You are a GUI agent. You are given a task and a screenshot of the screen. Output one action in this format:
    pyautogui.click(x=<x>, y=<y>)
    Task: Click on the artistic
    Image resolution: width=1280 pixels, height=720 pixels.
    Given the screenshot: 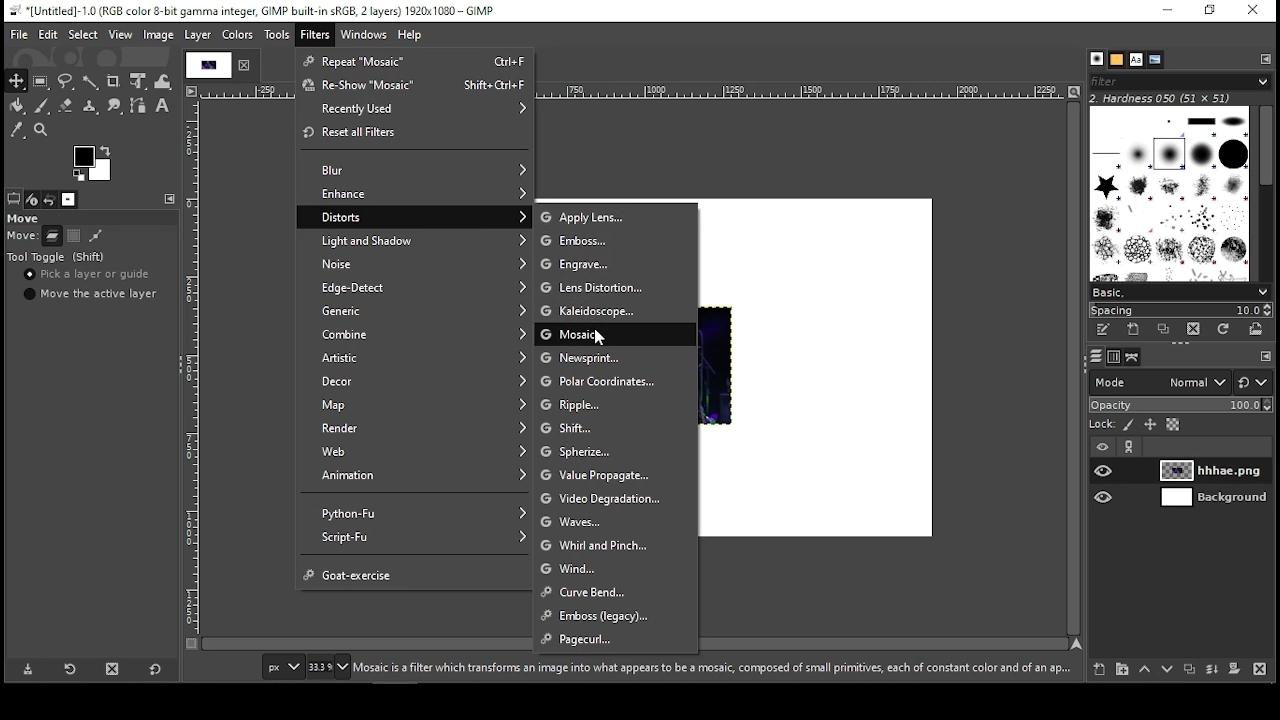 What is the action you would take?
    pyautogui.click(x=416, y=357)
    